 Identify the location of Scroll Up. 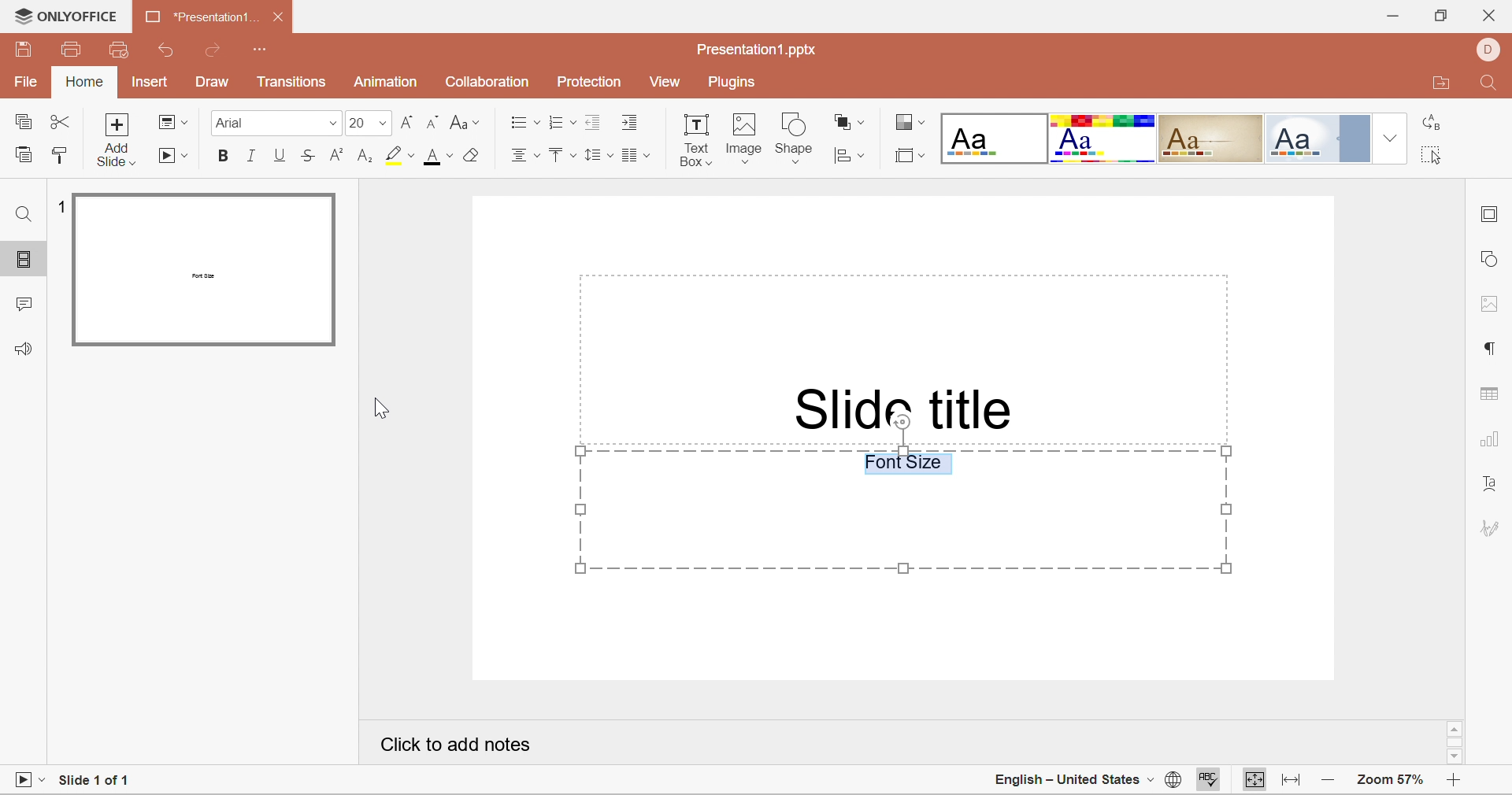
(1457, 727).